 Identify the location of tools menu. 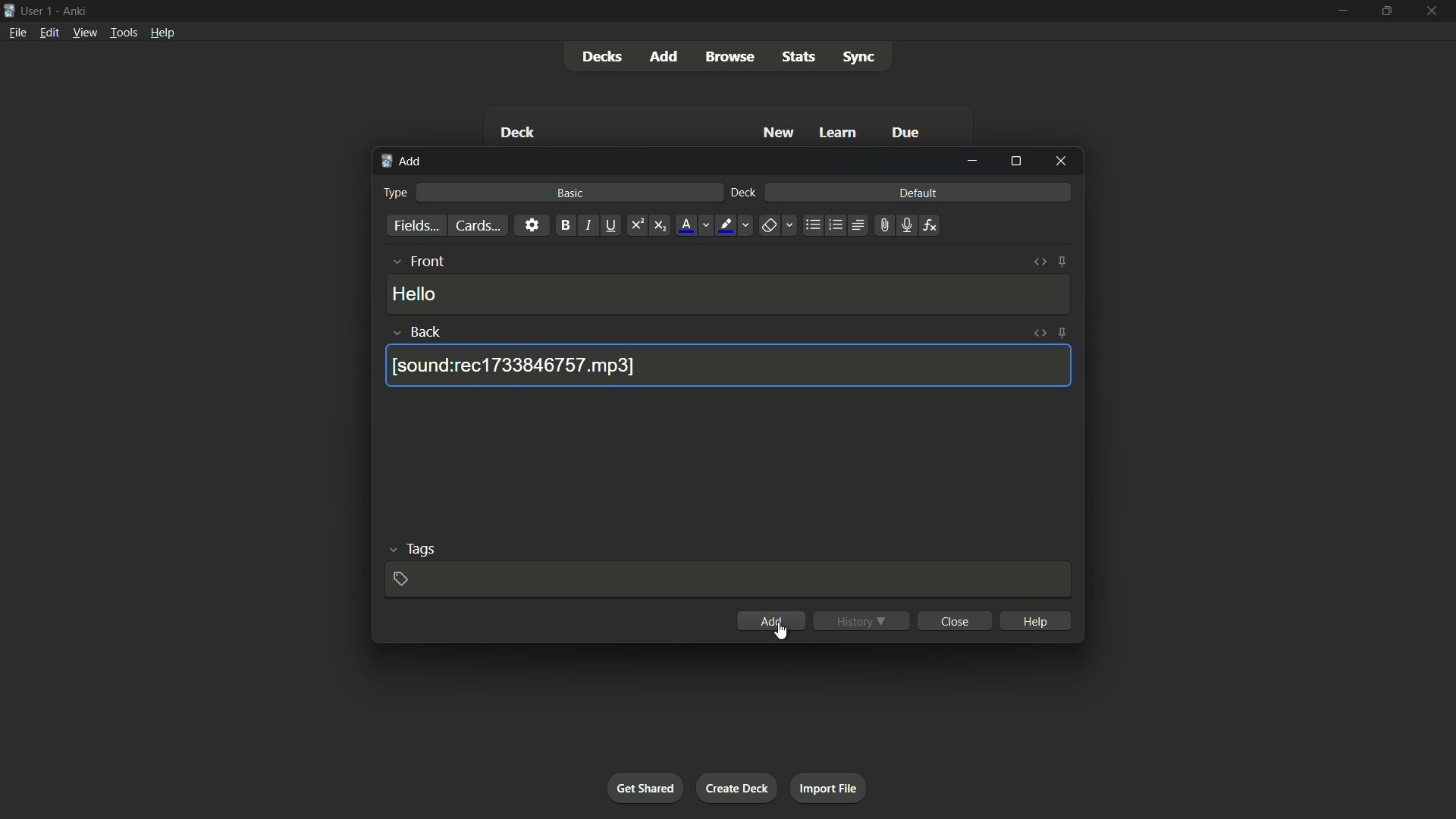
(124, 32).